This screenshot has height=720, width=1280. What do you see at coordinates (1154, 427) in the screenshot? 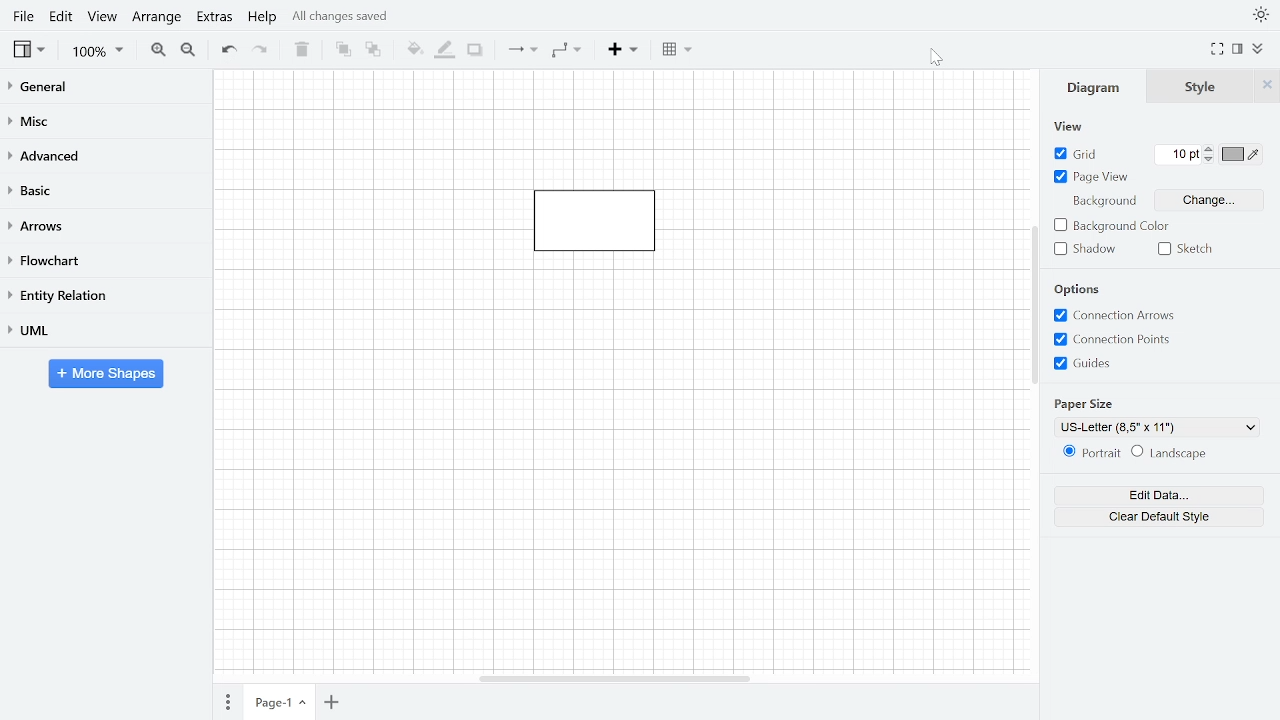
I see `Current paper style` at bounding box center [1154, 427].